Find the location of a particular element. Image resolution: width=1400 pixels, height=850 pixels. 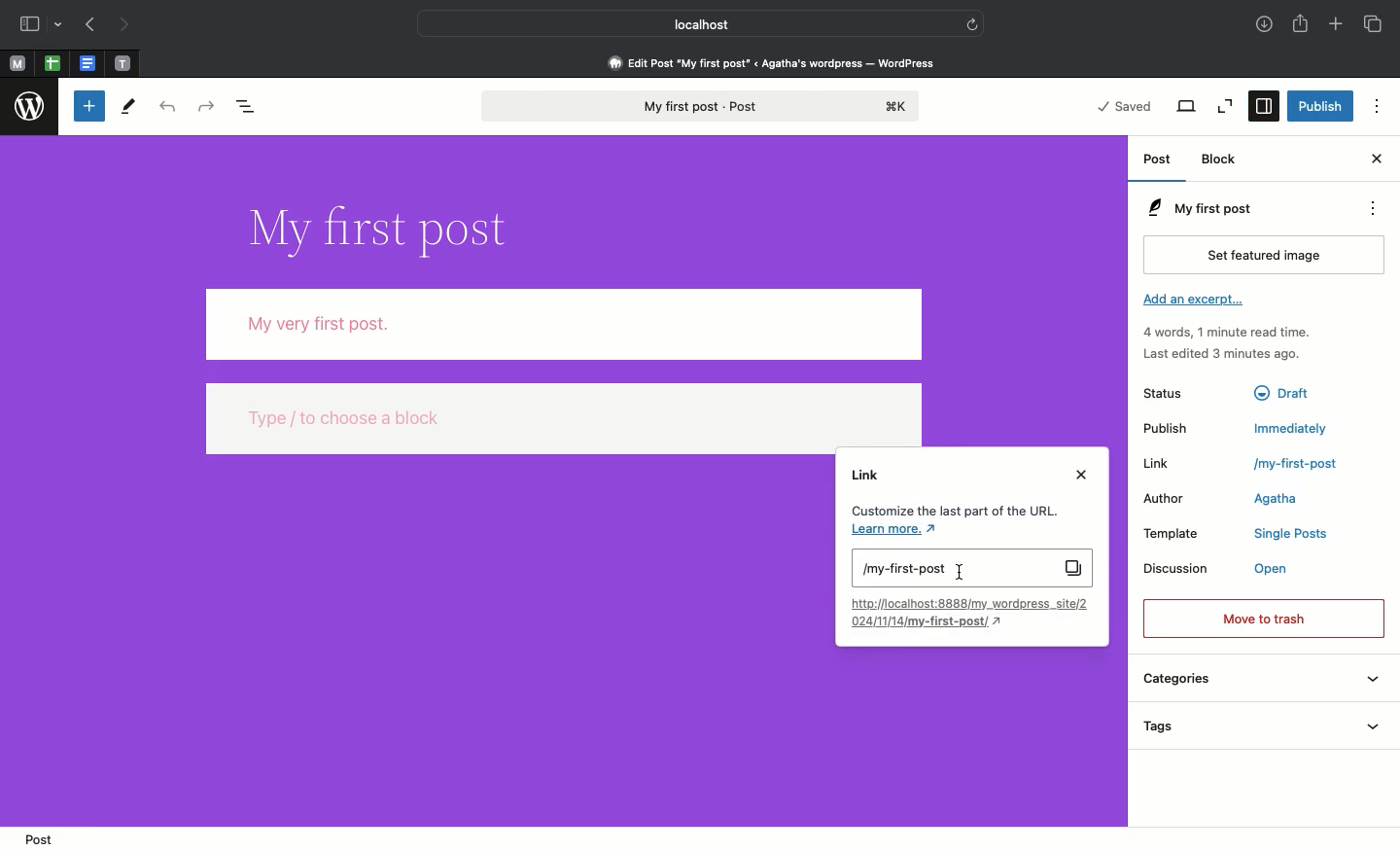

Link is located at coordinates (1163, 463).